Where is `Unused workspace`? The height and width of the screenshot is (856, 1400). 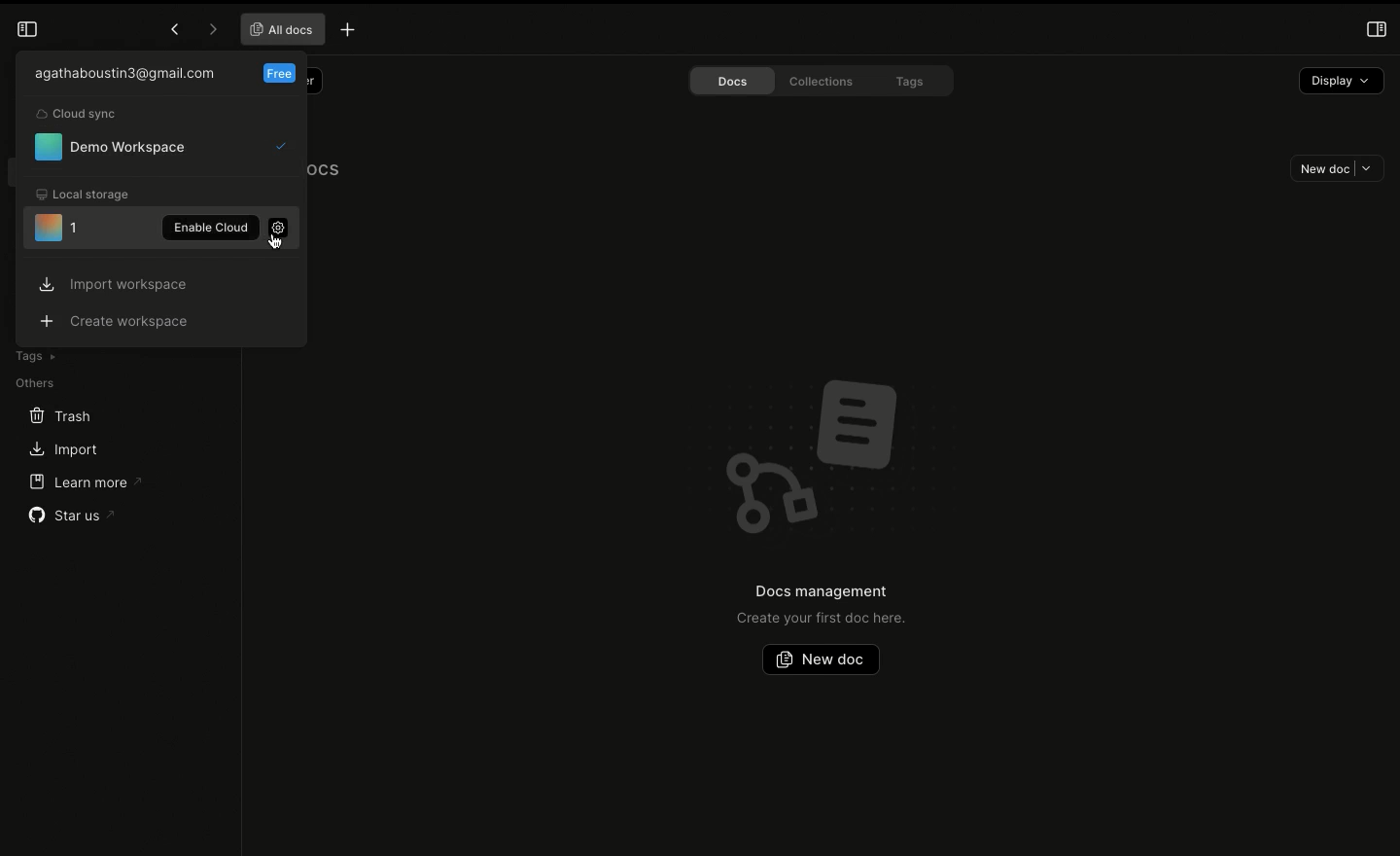
Unused workspace is located at coordinates (76, 232).